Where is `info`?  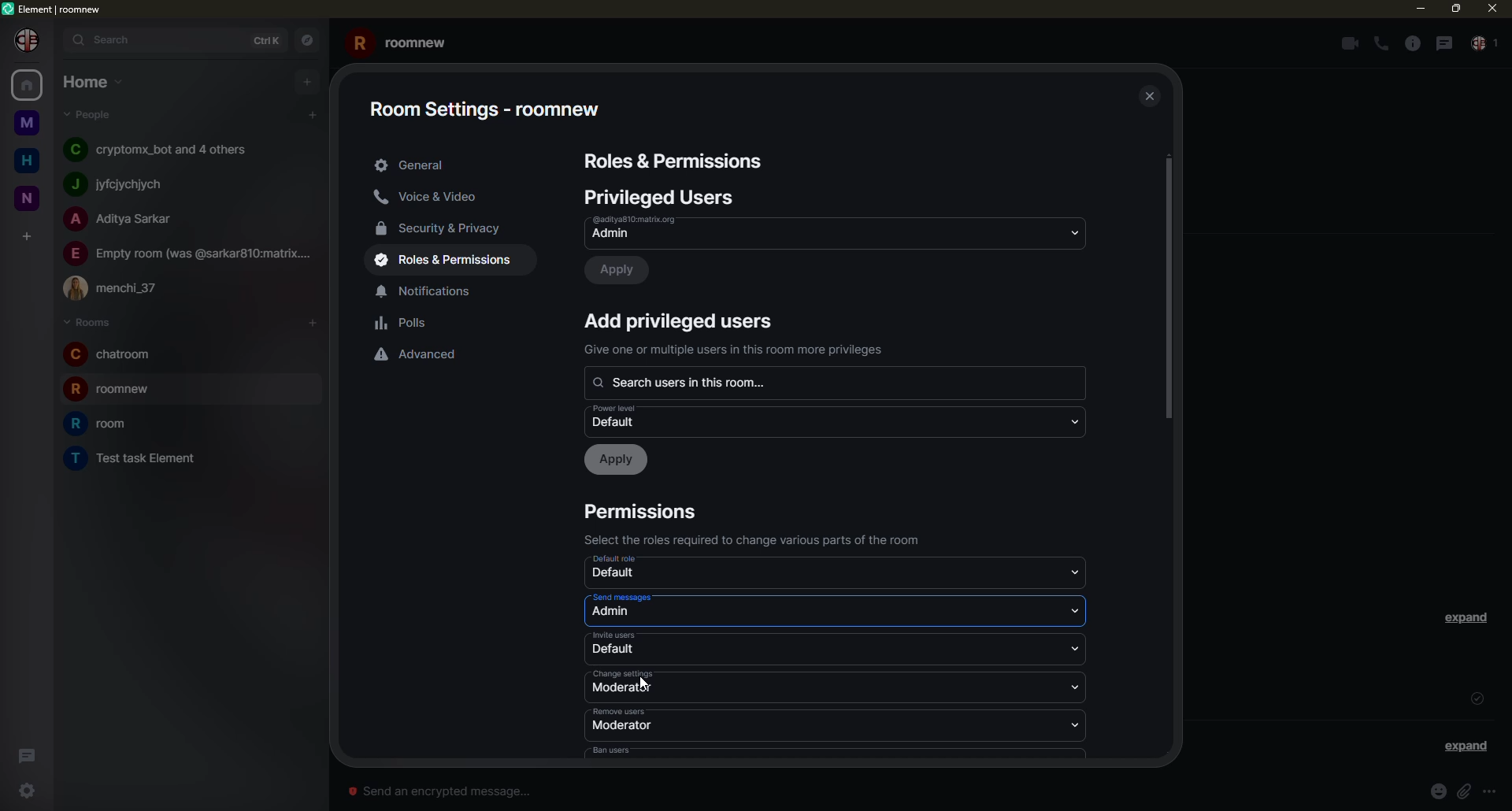
info is located at coordinates (1496, 791).